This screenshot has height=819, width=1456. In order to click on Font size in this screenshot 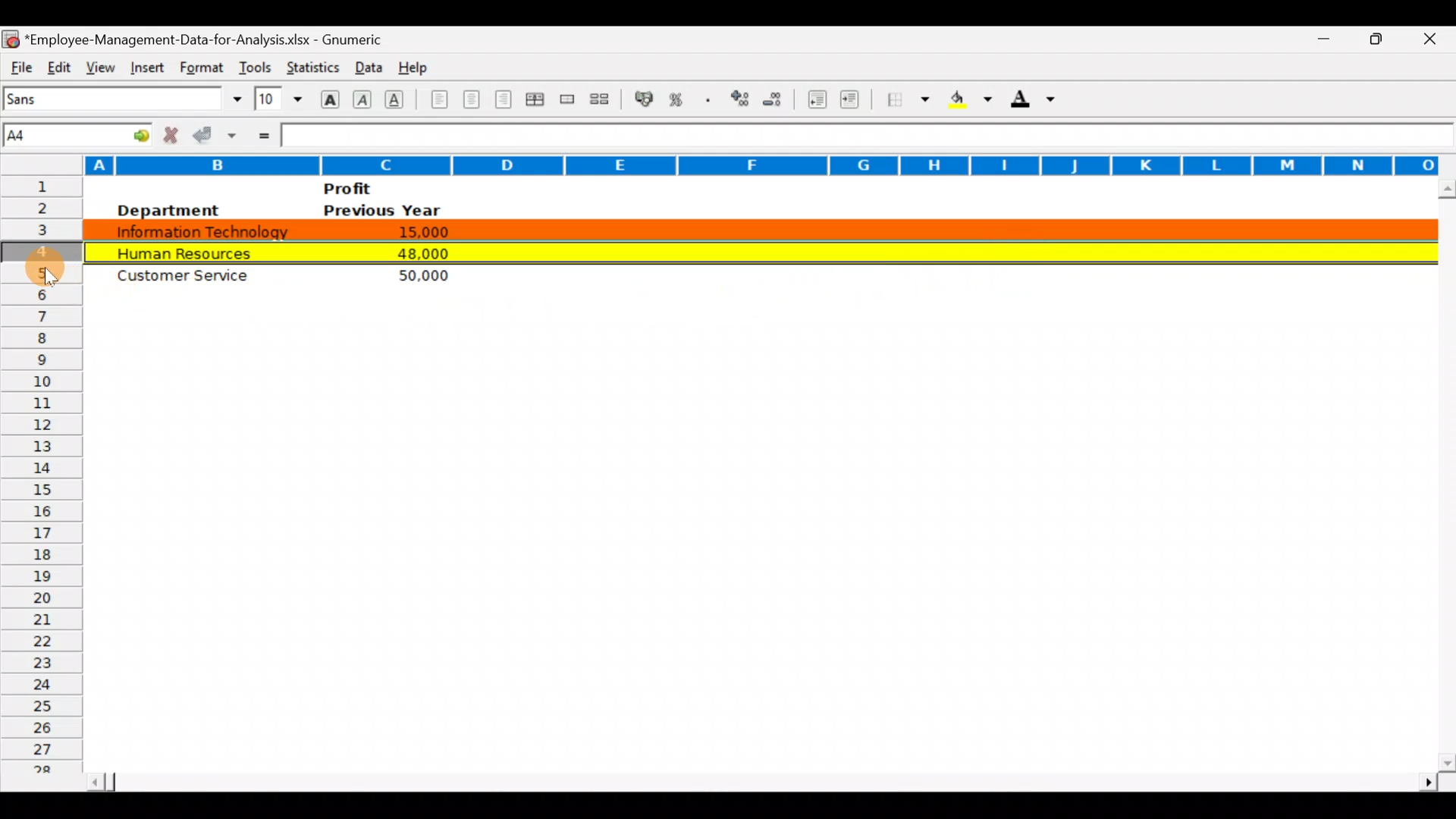, I will do `click(278, 99)`.